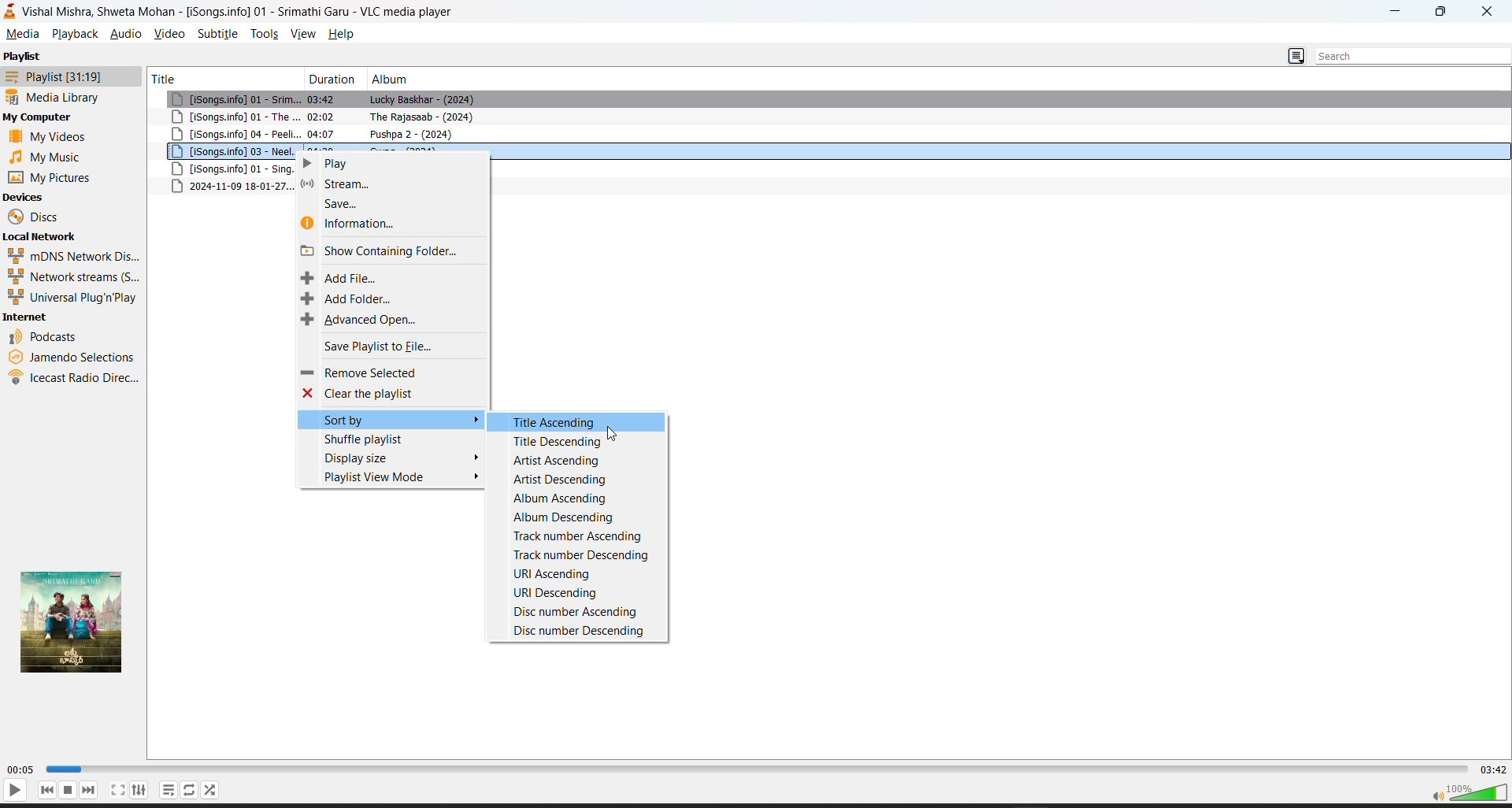  I want to click on advanced open, so click(392, 321).